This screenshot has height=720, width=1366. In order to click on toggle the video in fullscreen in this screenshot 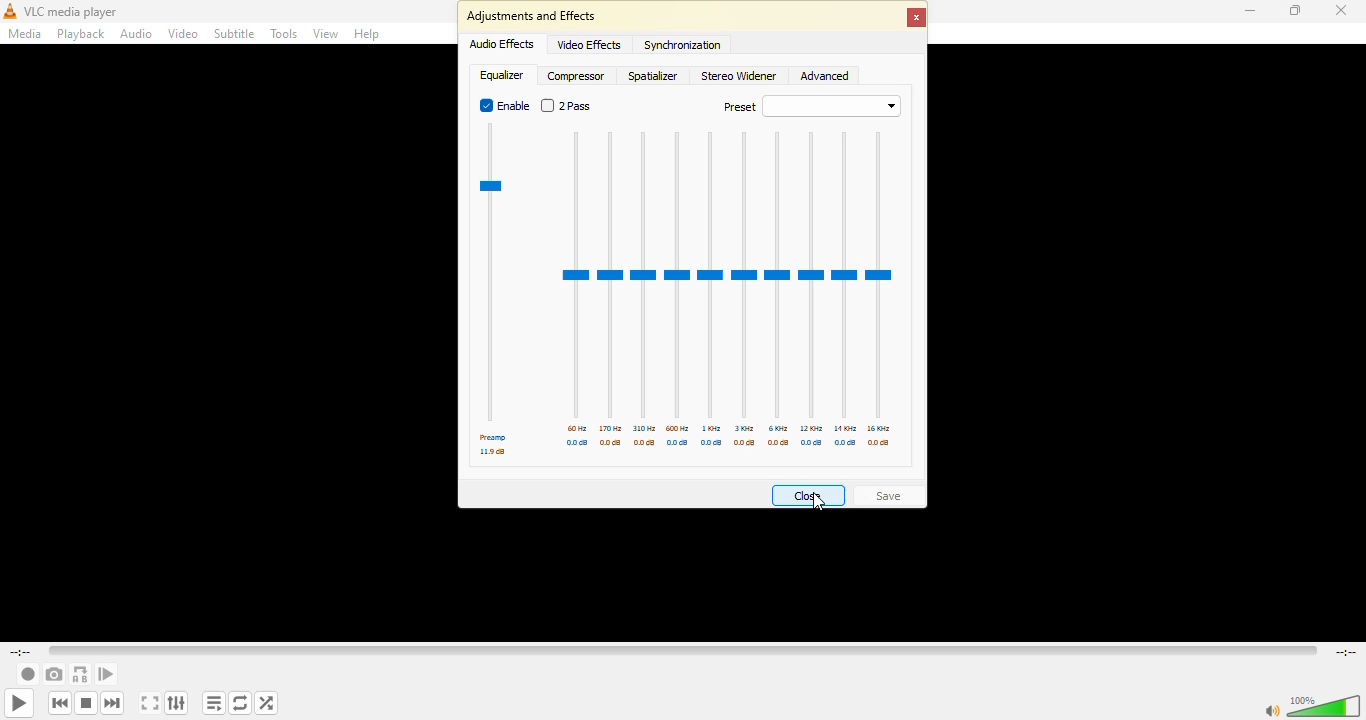, I will do `click(149, 704)`.